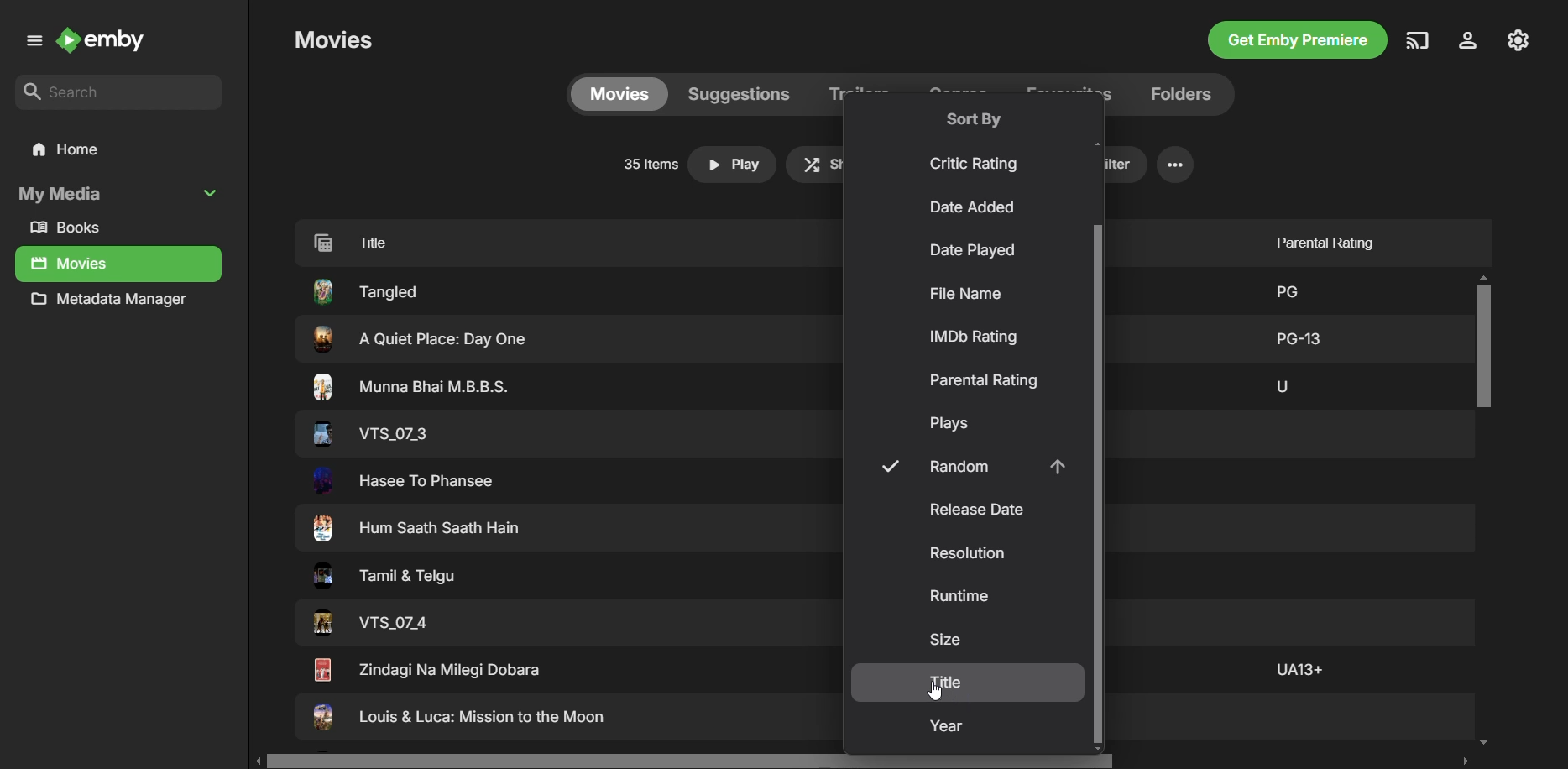 The width and height of the screenshot is (1568, 769). Describe the element at coordinates (419, 530) in the screenshot. I see `` at that location.